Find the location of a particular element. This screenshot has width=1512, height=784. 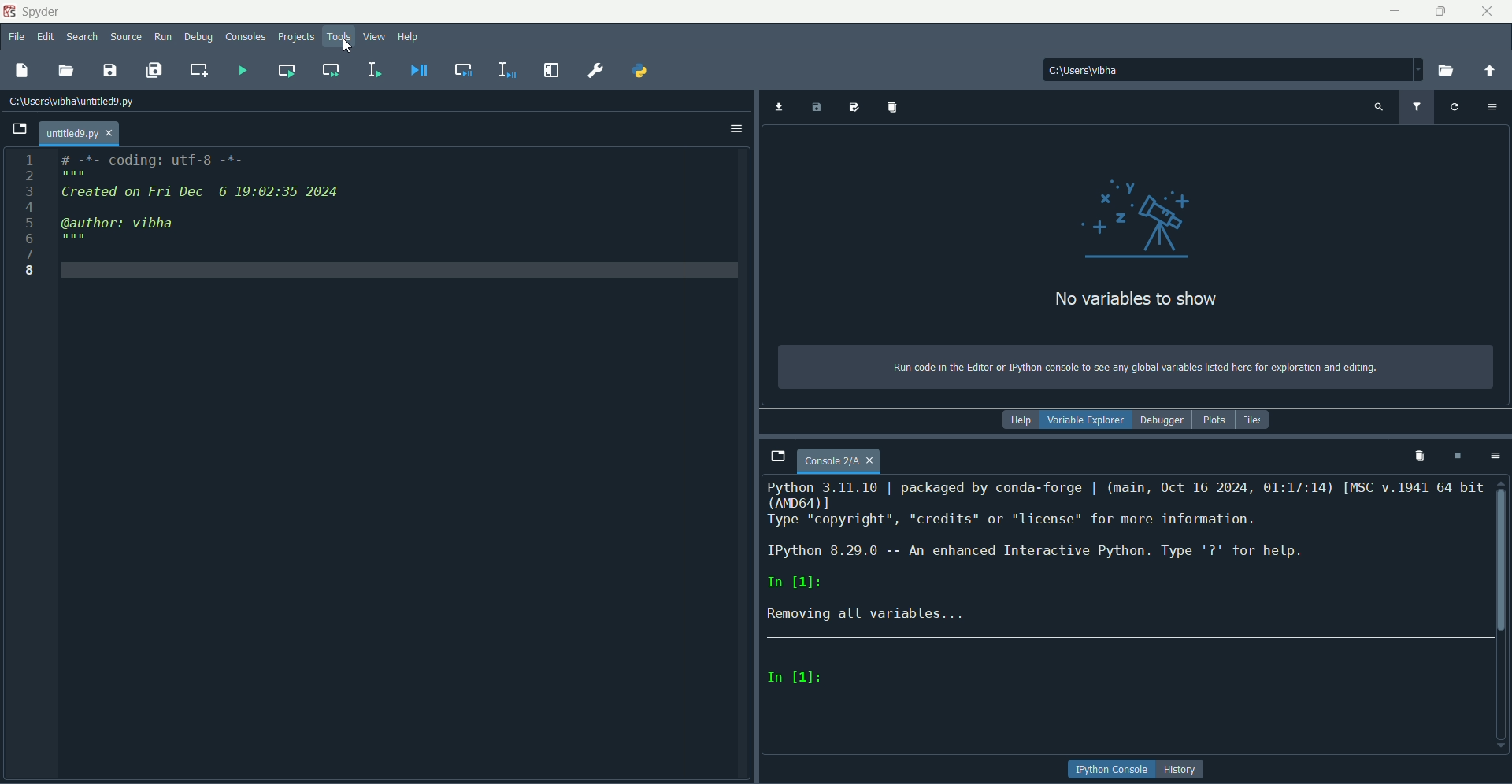

filter variable is located at coordinates (1416, 107).